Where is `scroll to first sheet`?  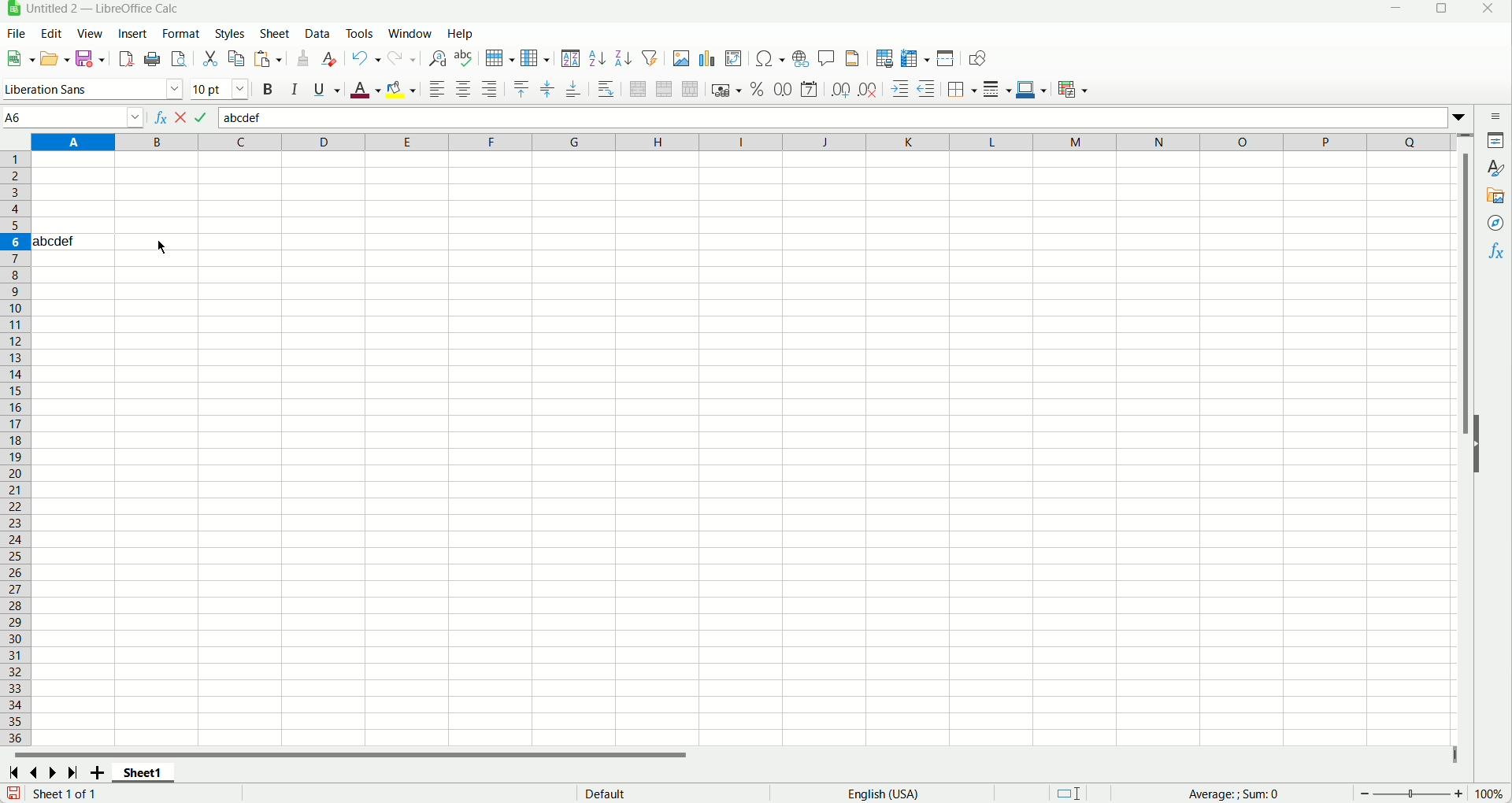
scroll to first sheet is located at coordinates (17, 771).